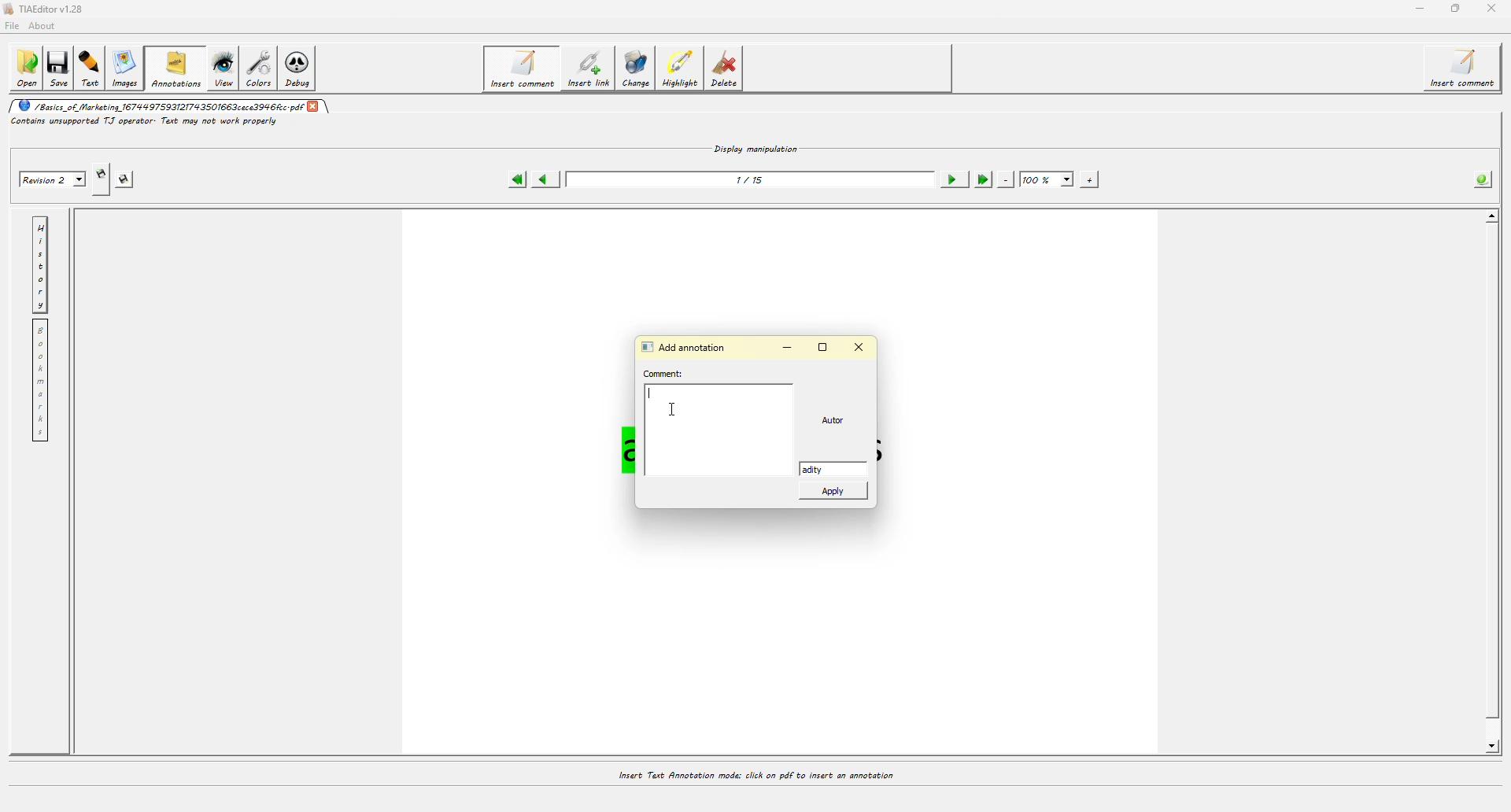 The height and width of the screenshot is (812, 1511). What do you see at coordinates (1456, 8) in the screenshot?
I see `maximize` at bounding box center [1456, 8].